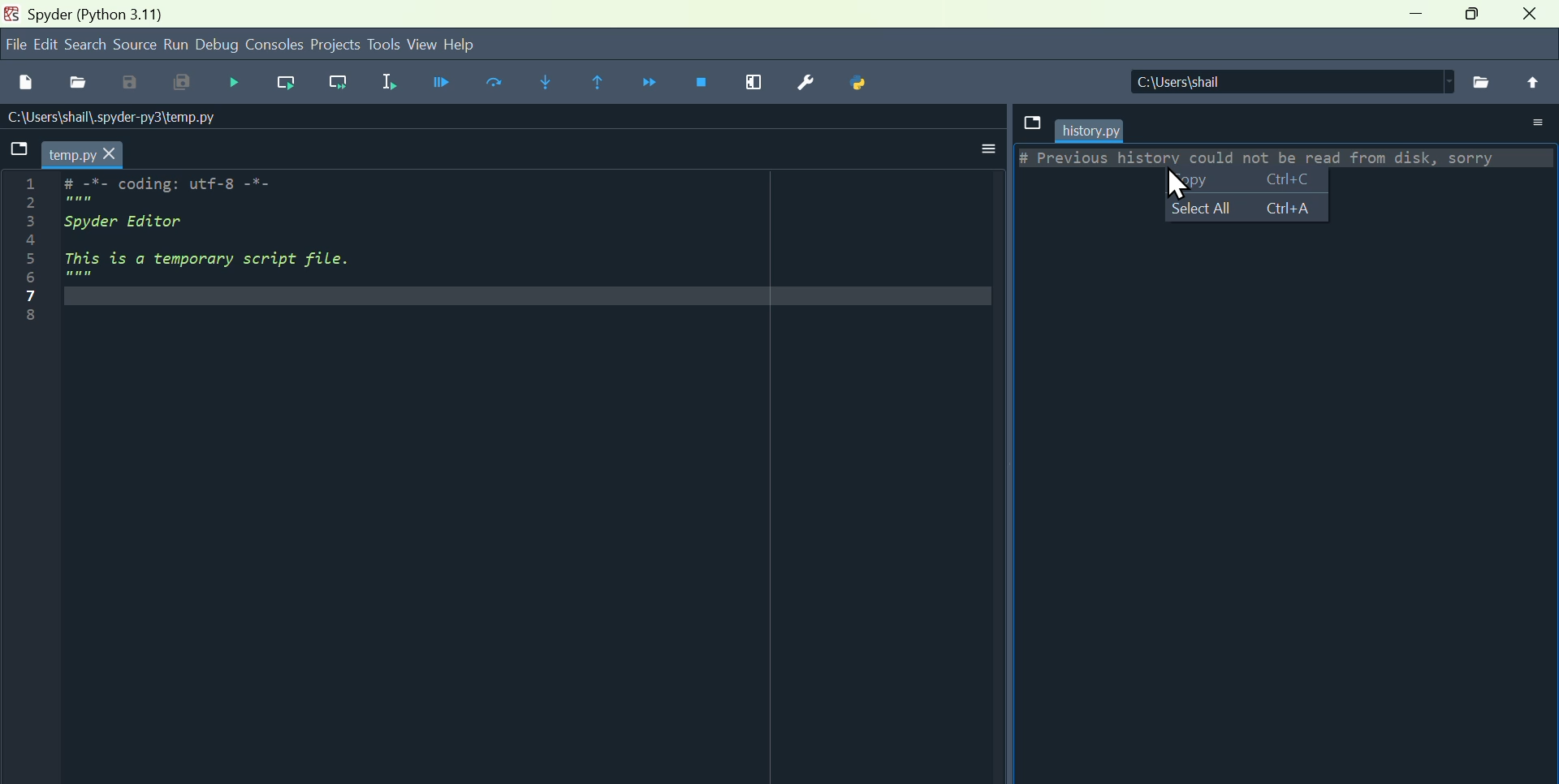 This screenshot has height=784, width=1559. I want to click on Debug file, so click(447, 81).